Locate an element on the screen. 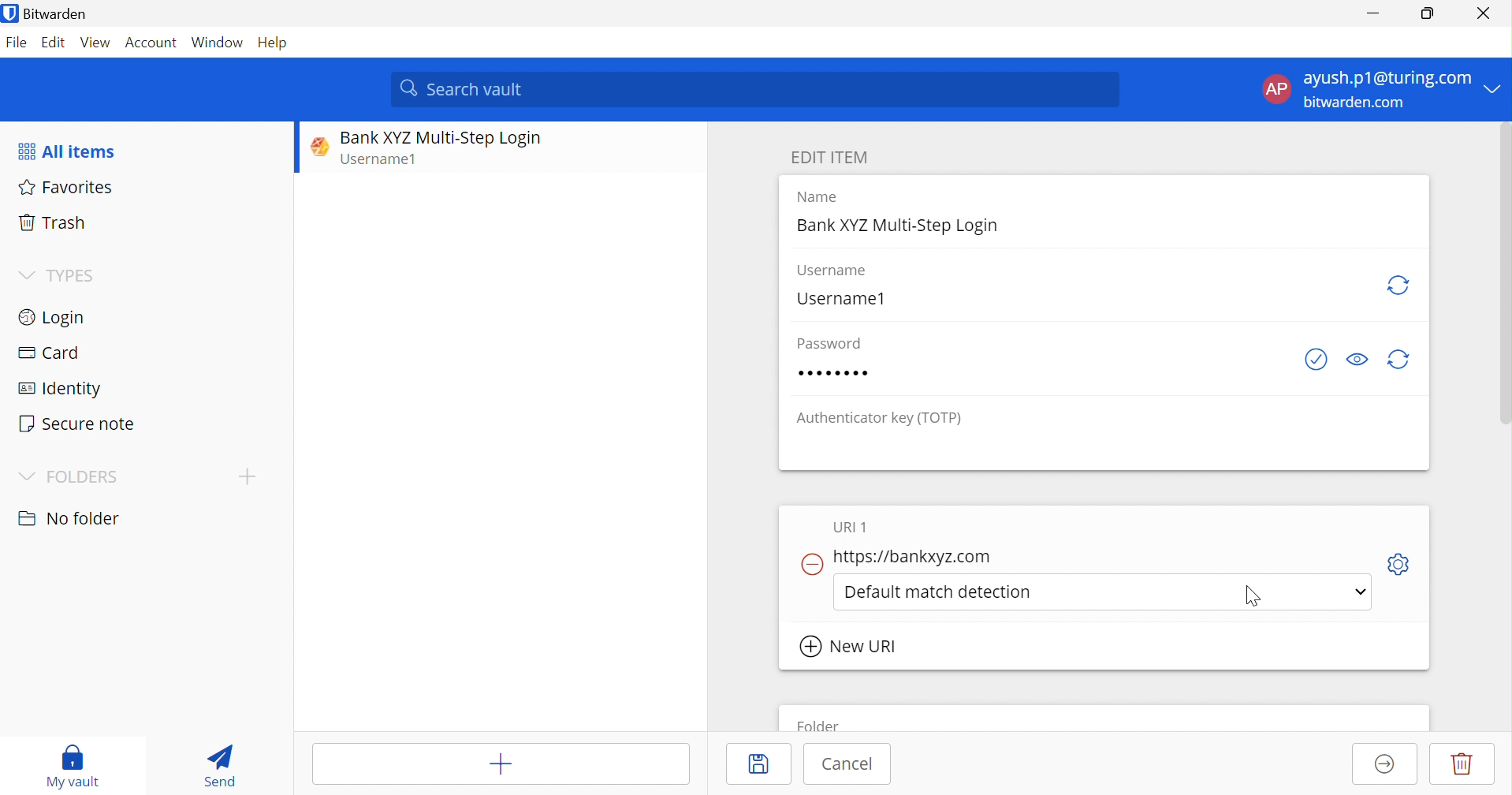 The width and height of the screenshot is (1512, 795). Cancel is located at coordinates (847, 763).